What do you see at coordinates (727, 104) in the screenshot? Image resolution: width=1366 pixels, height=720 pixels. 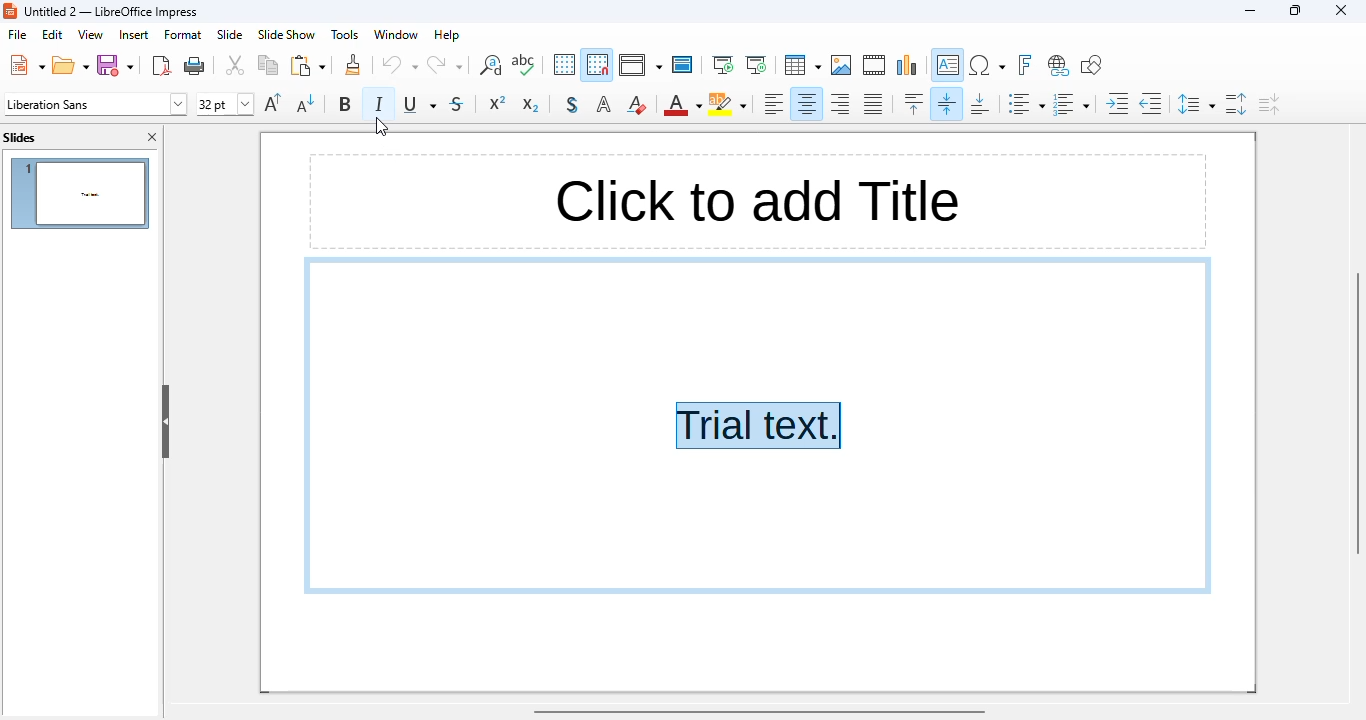 I see `character highlighting color` at bounding box center [727, 104].